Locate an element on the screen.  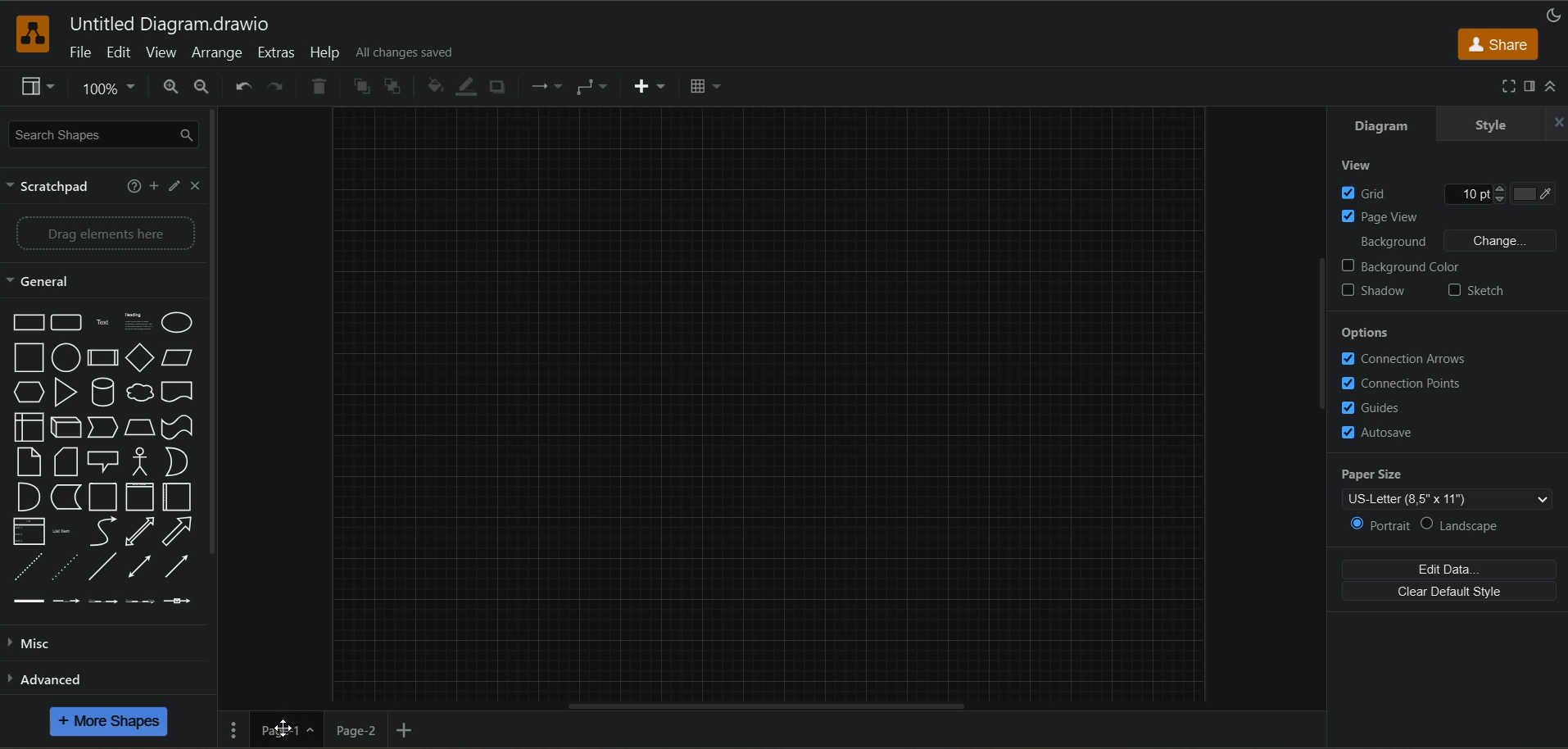
extras is located at coordinates (278, 53).